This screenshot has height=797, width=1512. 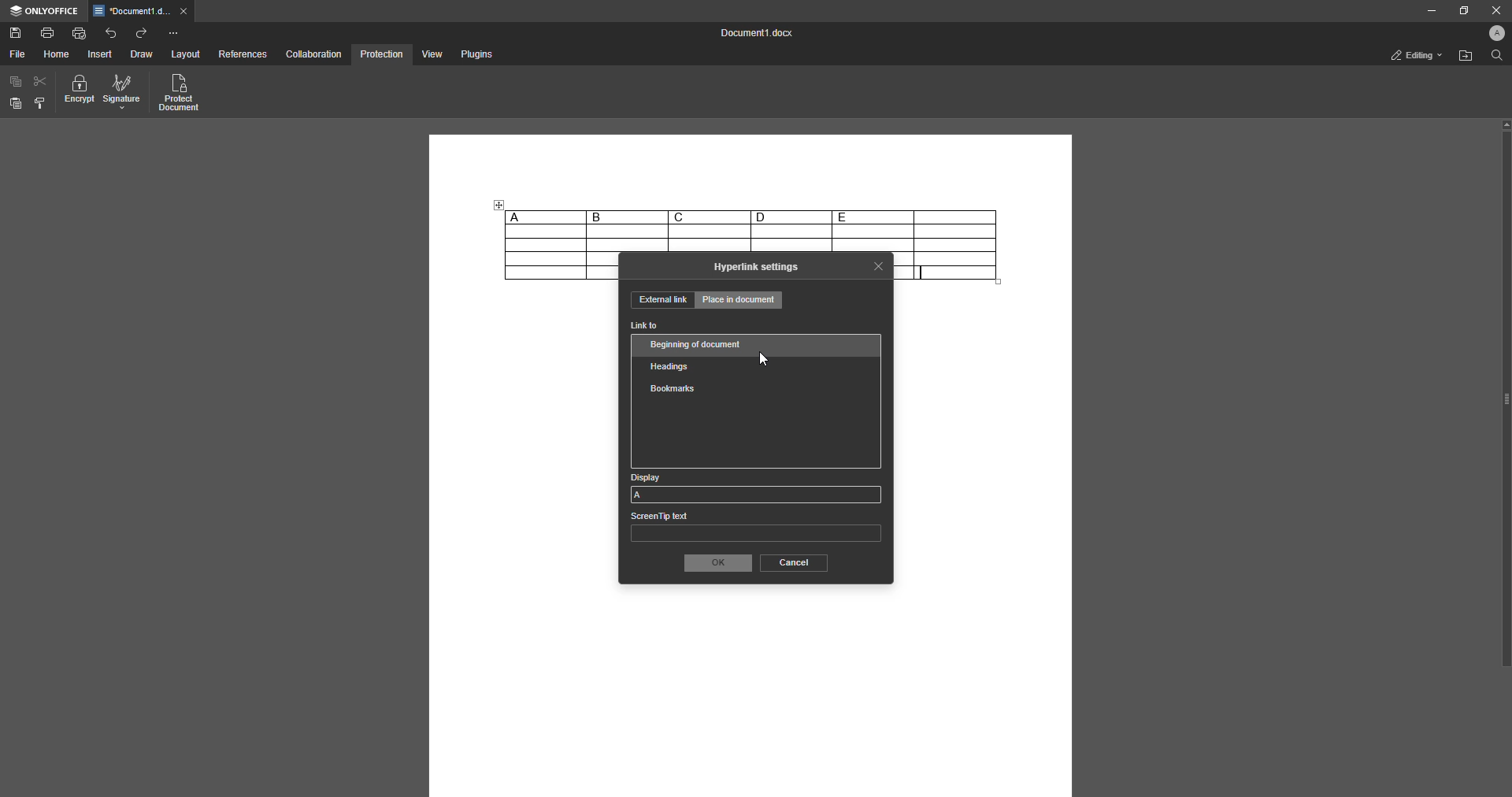 What do you see at coordinates (627, 217) in the screenshot?
I see `B` at bounding box center [627, 217].